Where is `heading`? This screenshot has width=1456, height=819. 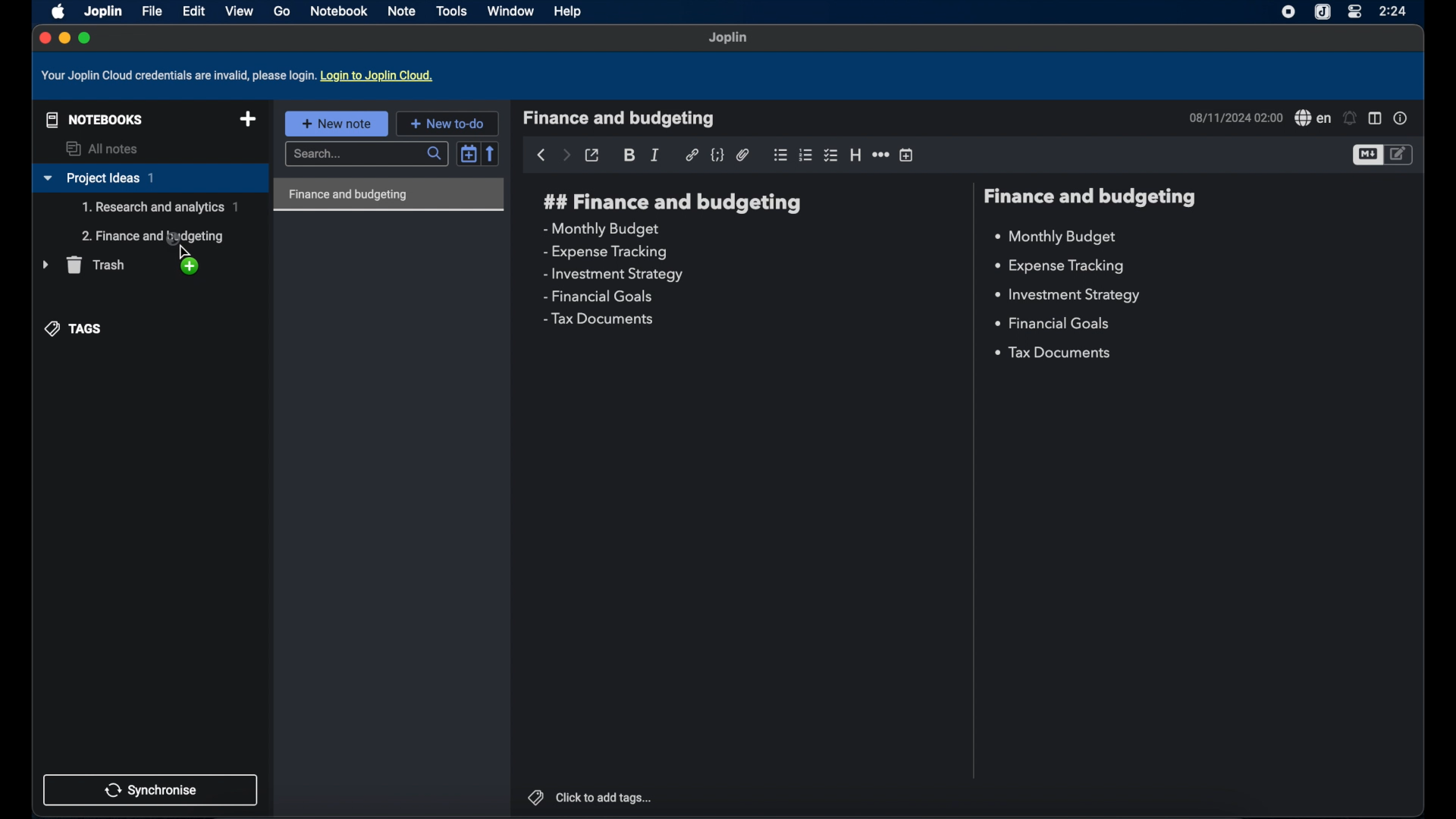 heading is located at coordinates (855, 155).